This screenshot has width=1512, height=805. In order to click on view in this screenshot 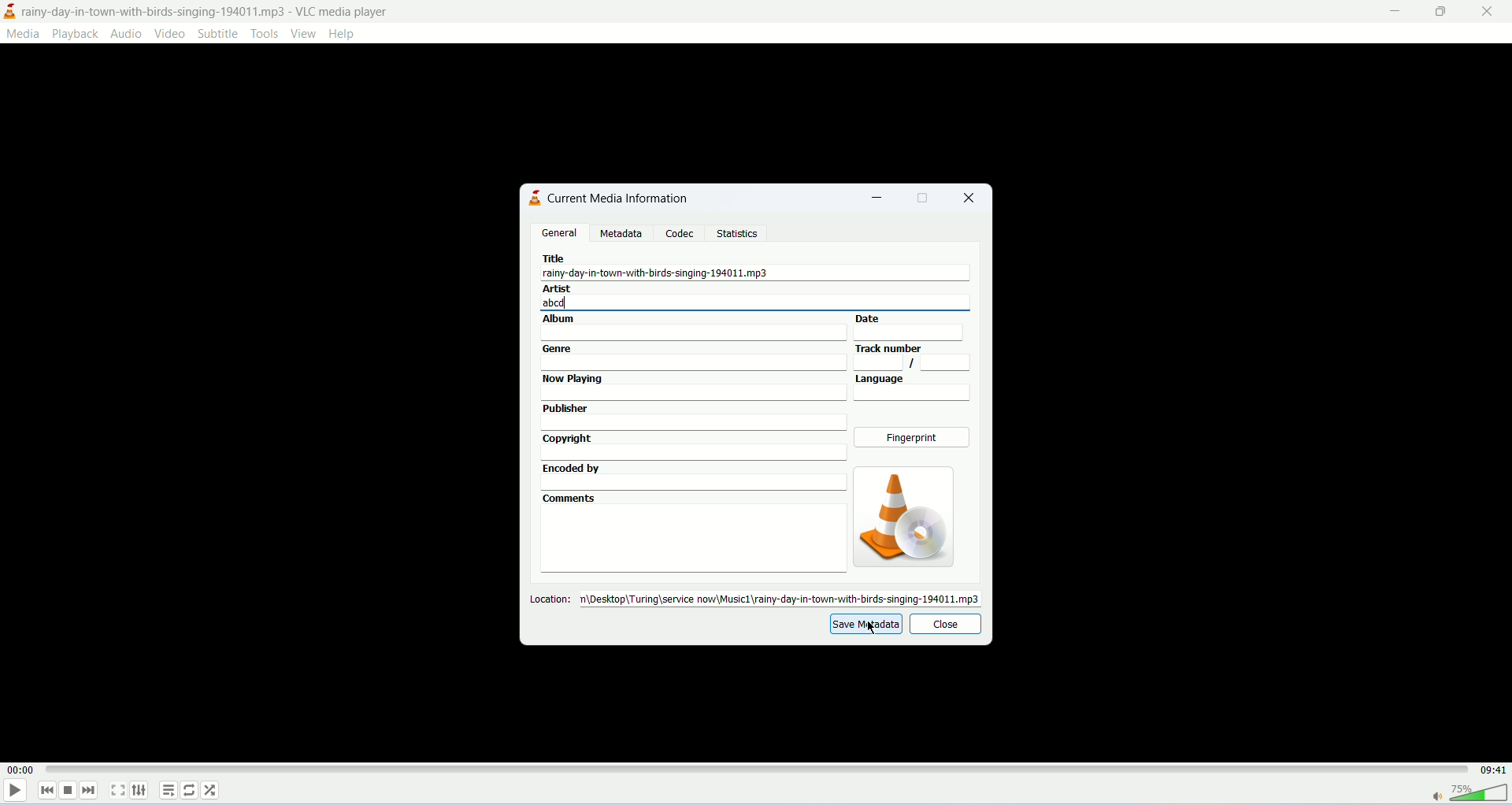, I will do `click(303, 33)`.